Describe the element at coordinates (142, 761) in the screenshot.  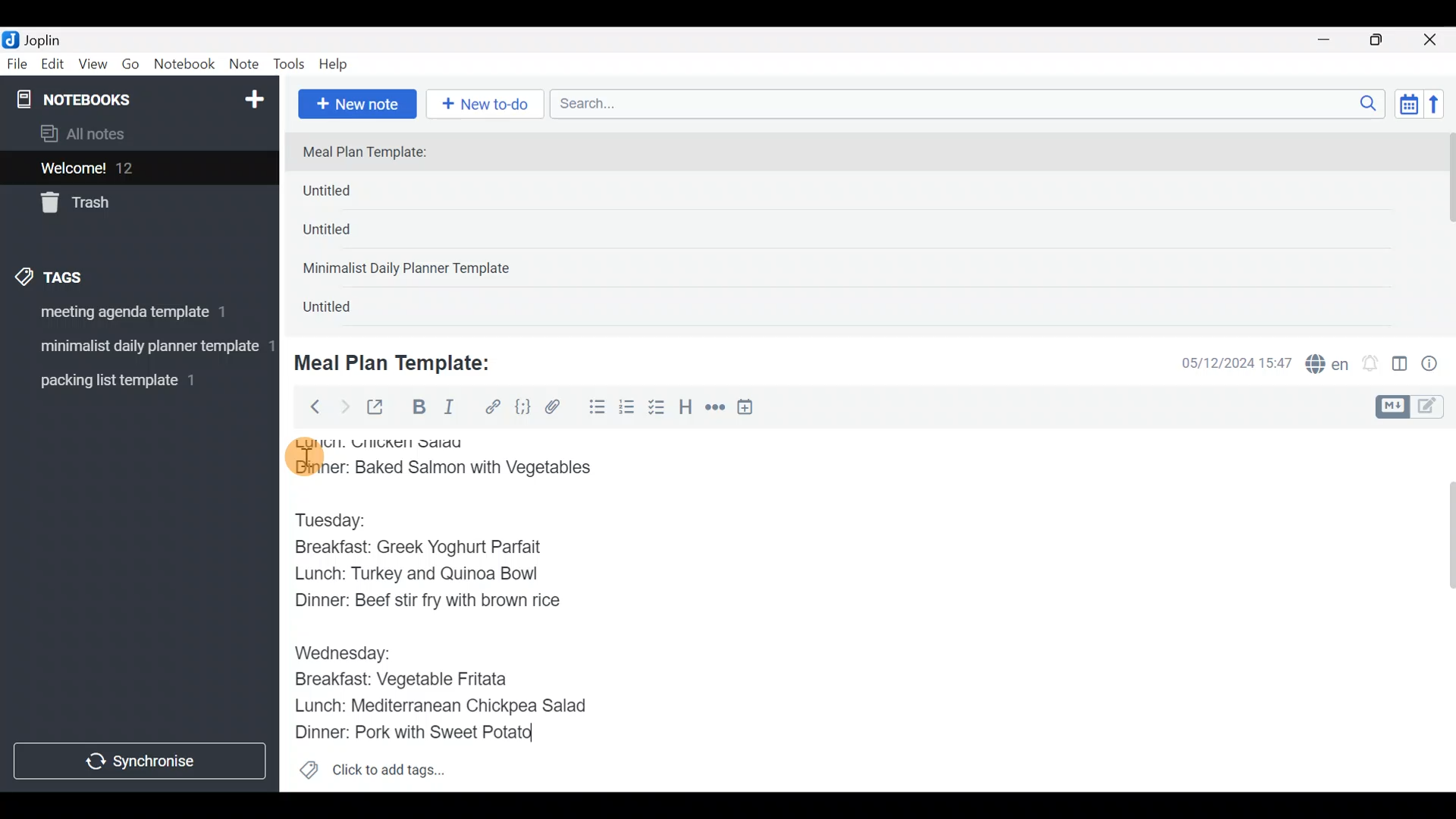
I see `Synchronize` at that location.